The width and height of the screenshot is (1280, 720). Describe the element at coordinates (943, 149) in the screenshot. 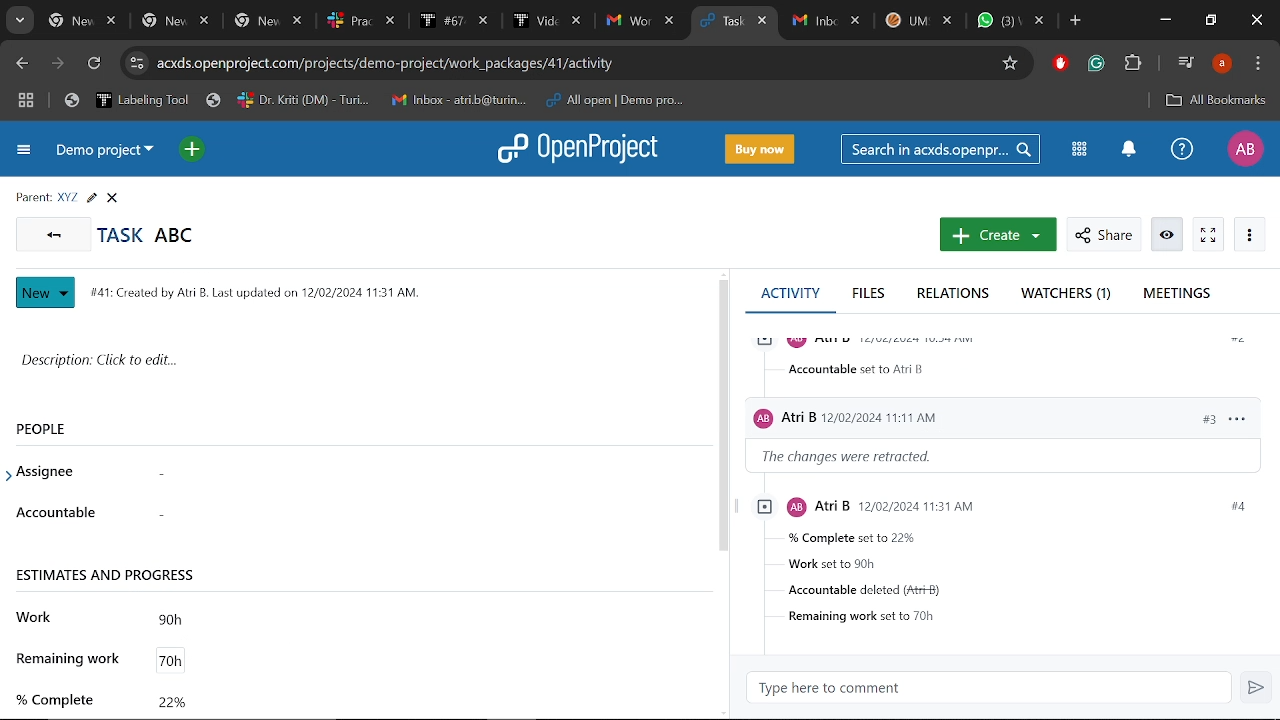

I see `Search ` at that location.